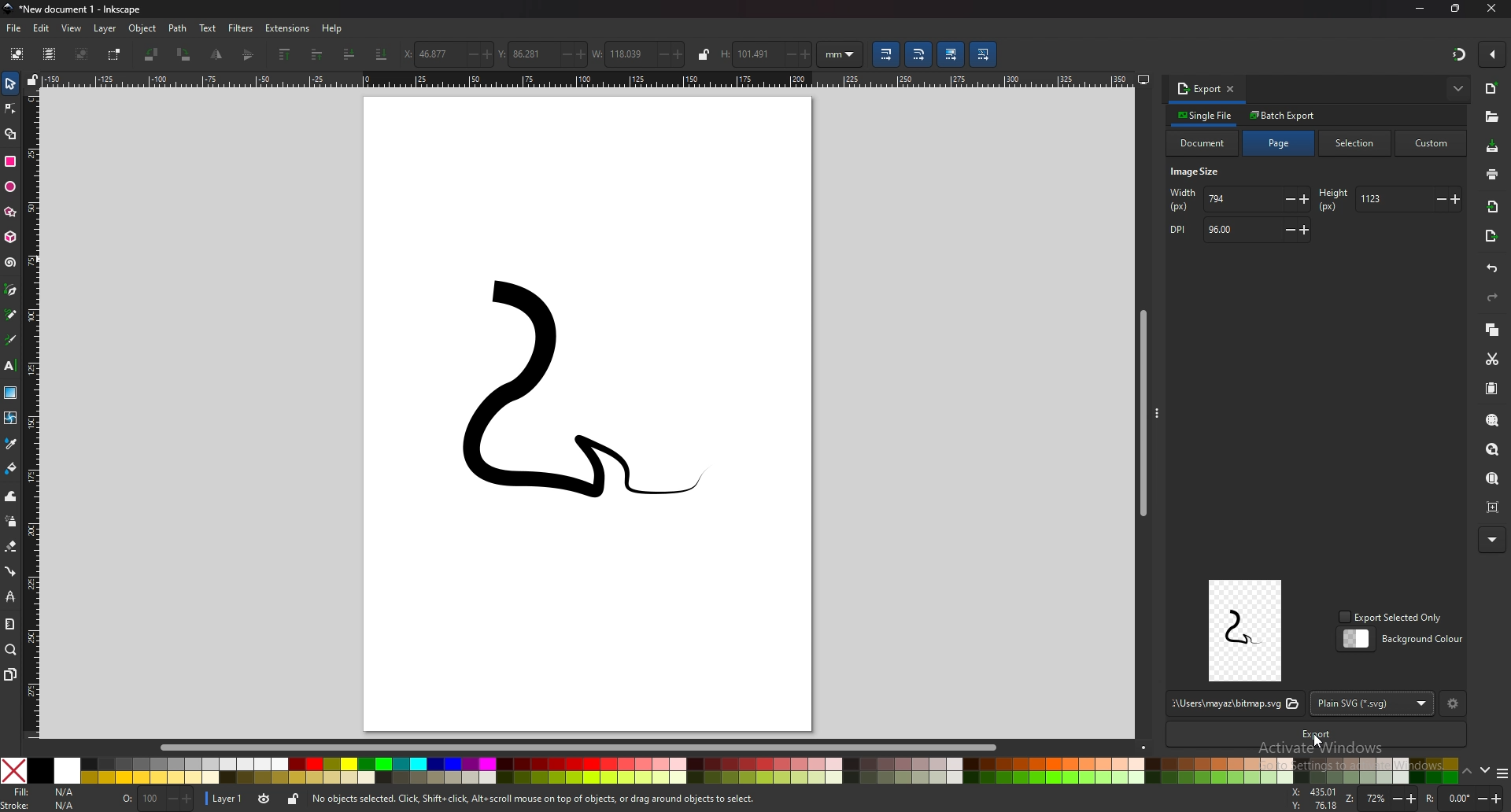  What do you see at coordinates (10, 674) in the screenshot?
I see `pages` at bounding box center [10, 674].